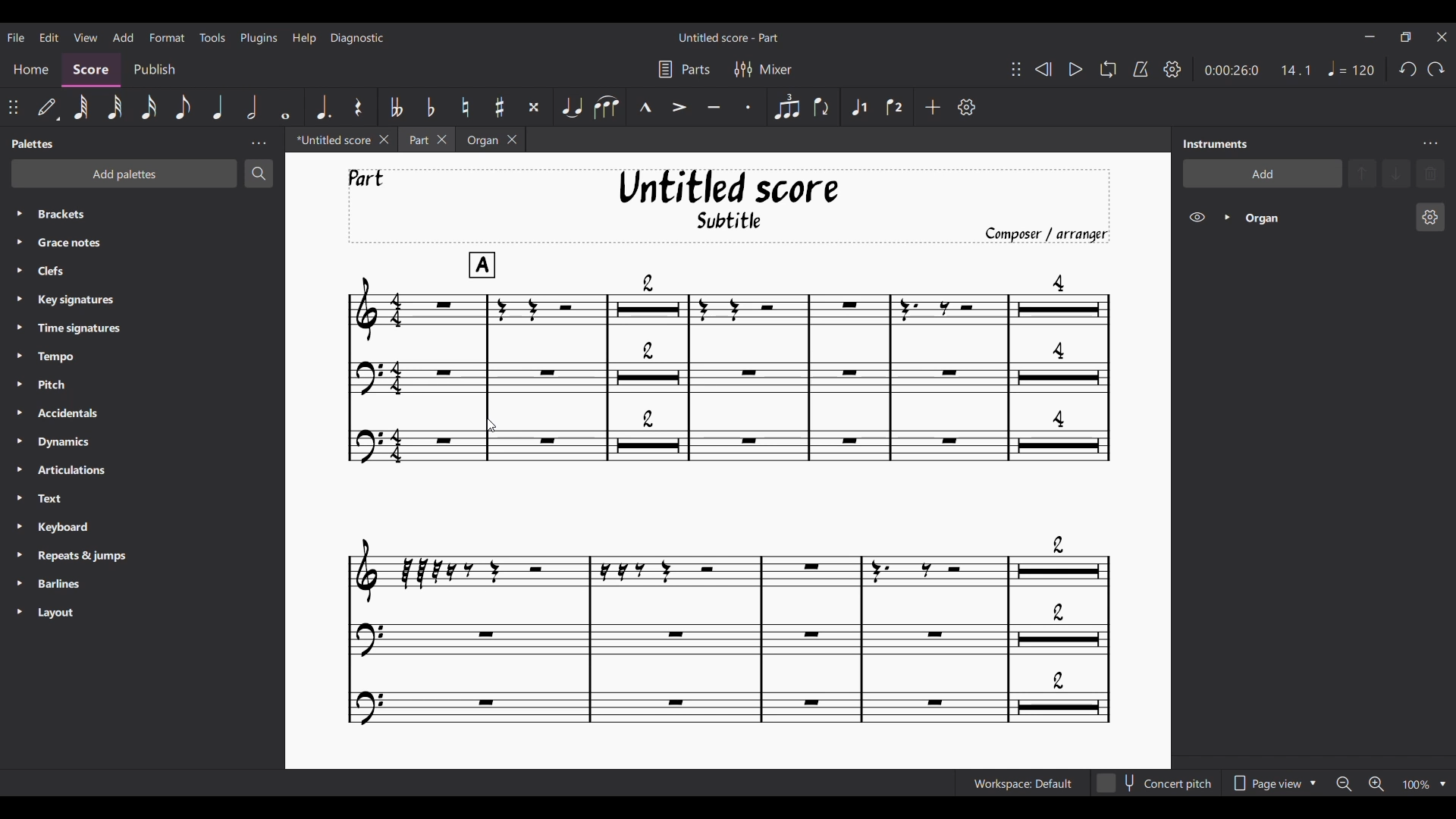 This screenshot has width=1456, height=819. I want to click on Add, so click(933, 107).